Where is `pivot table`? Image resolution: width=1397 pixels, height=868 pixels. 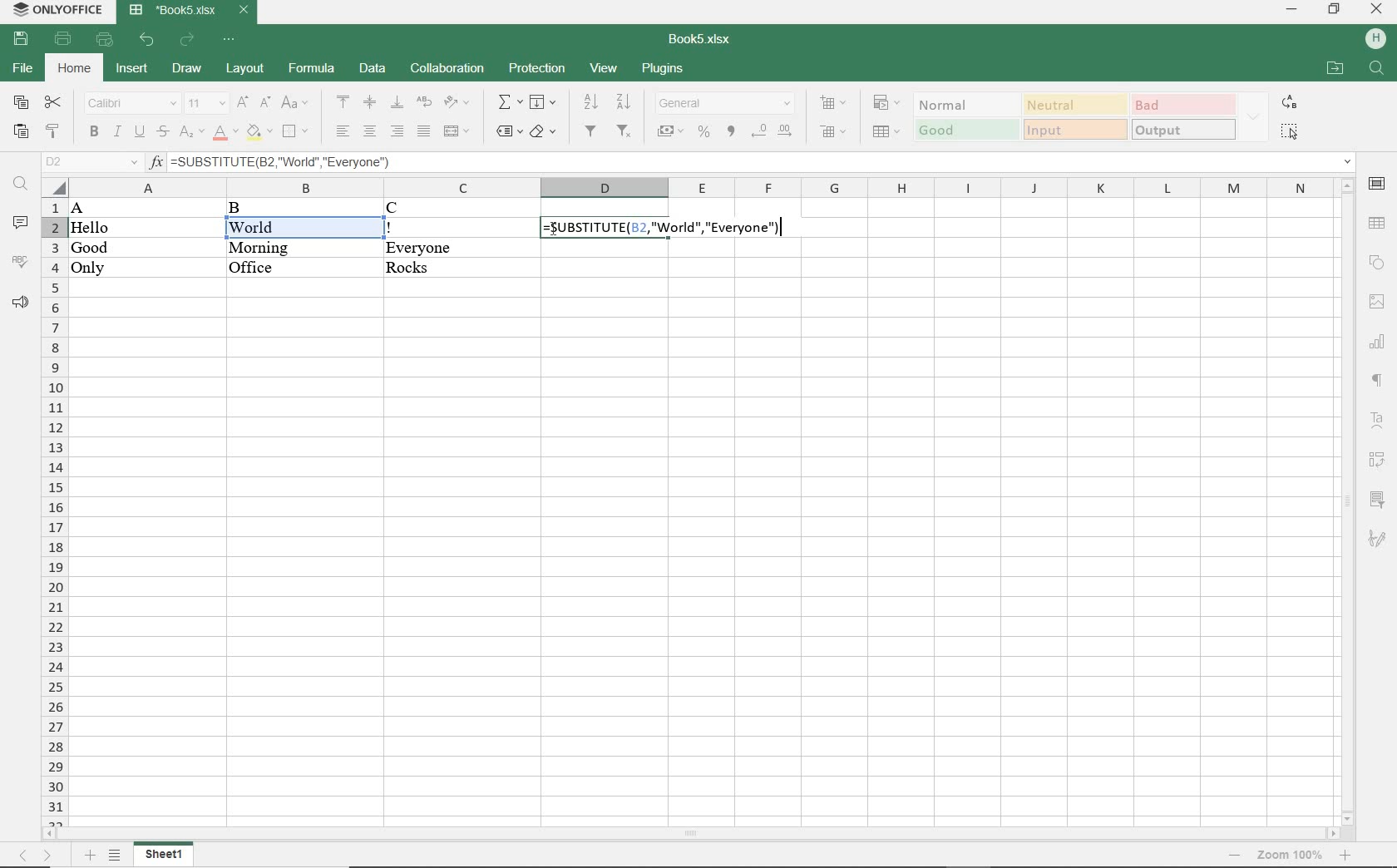 pivot table is located at coordinates (1378, 461).